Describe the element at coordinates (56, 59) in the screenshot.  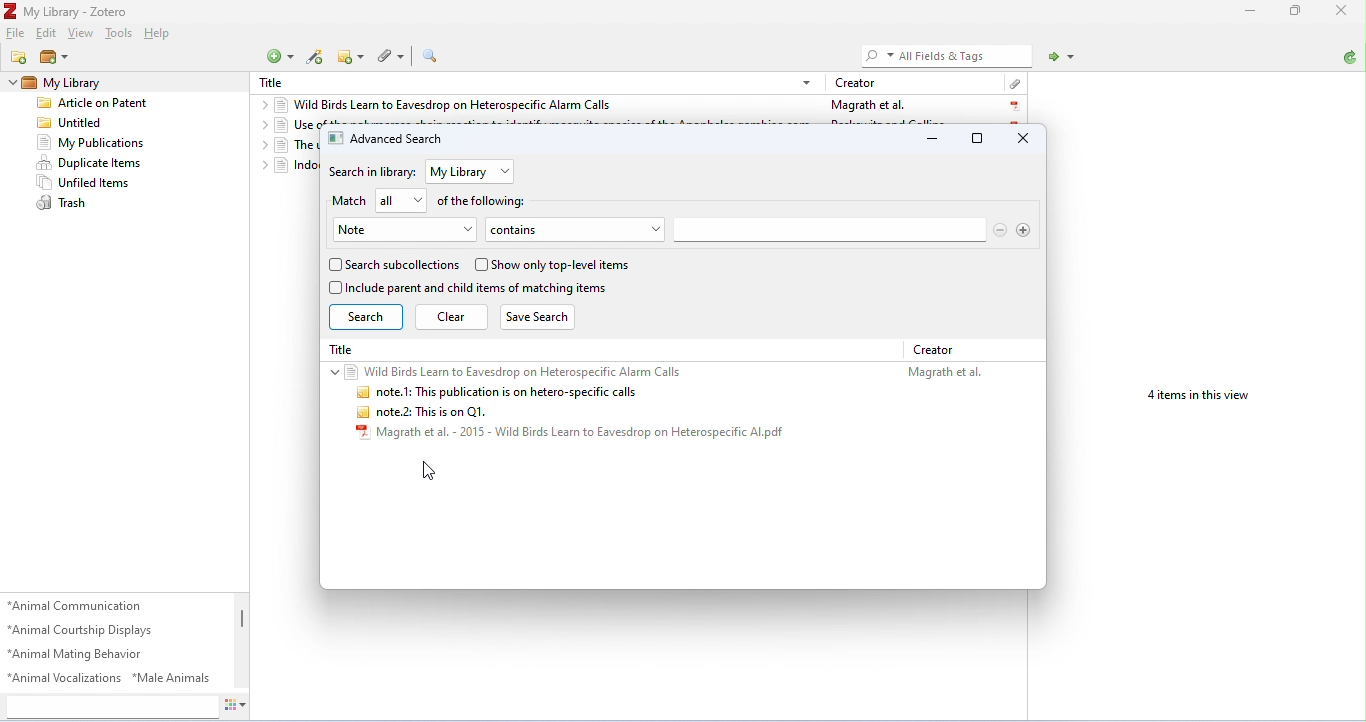
I see `new library` at that location.